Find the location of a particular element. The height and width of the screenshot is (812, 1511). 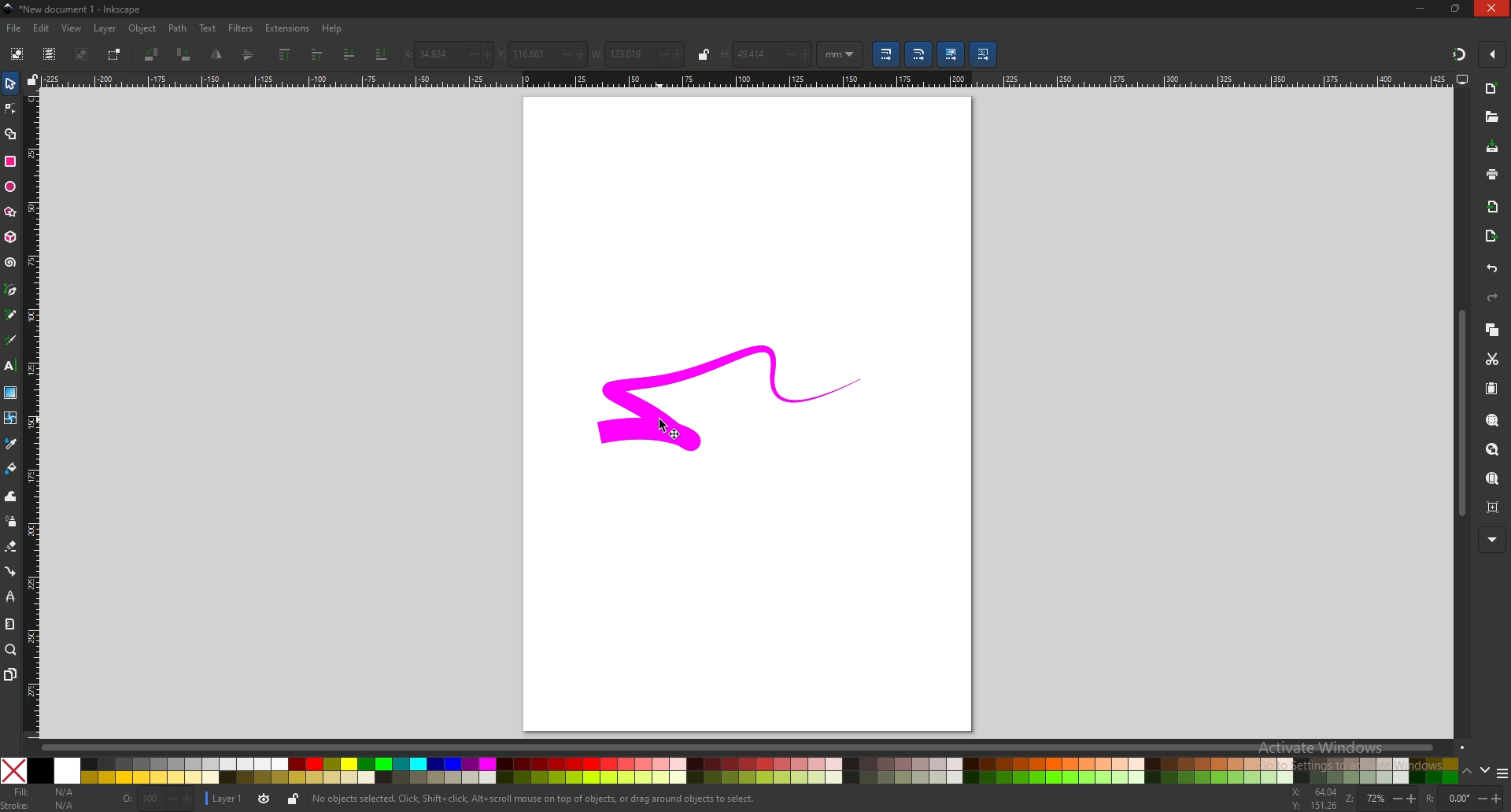

eraser is located at coordinates (11, 547).